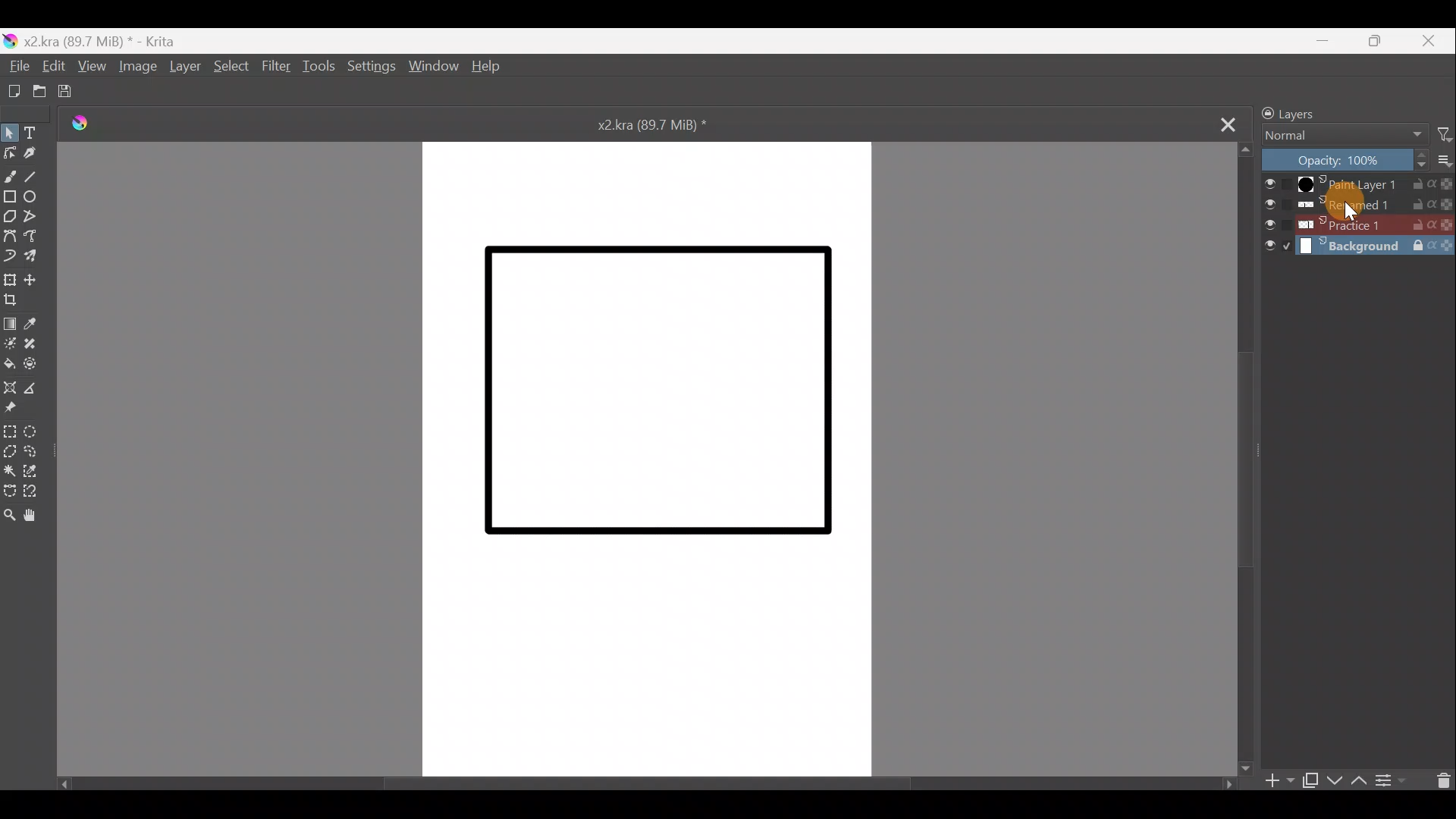 This screenshot has height=819, width=1456. Describe the element at coordinates (1442, 162) in the screenshot. I see `More` at that location.